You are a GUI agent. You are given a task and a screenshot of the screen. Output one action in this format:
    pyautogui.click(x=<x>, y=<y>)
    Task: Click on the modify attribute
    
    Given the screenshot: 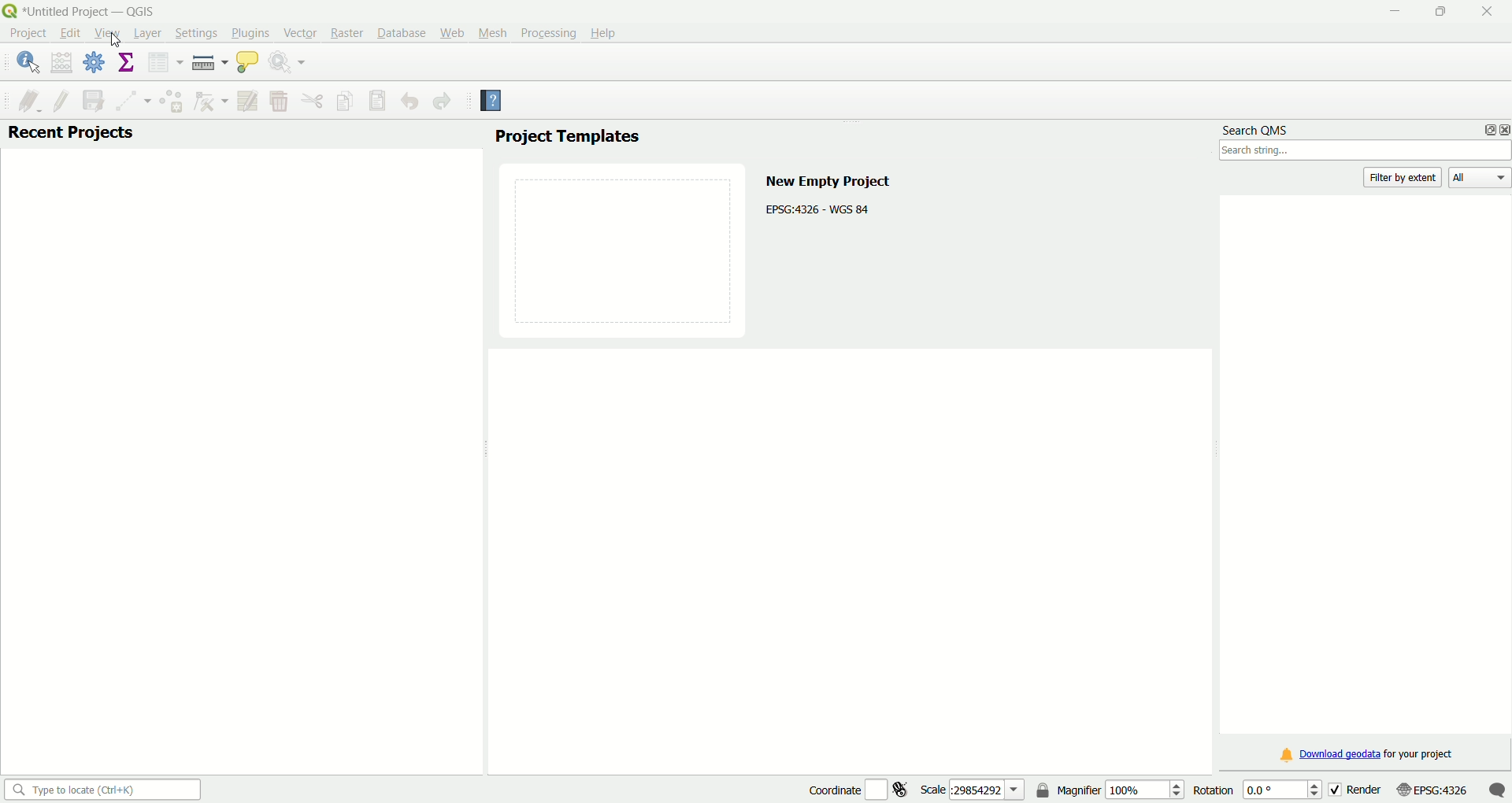 What is the action you would take?
    pyautogui.click(x=247, y=101)
    